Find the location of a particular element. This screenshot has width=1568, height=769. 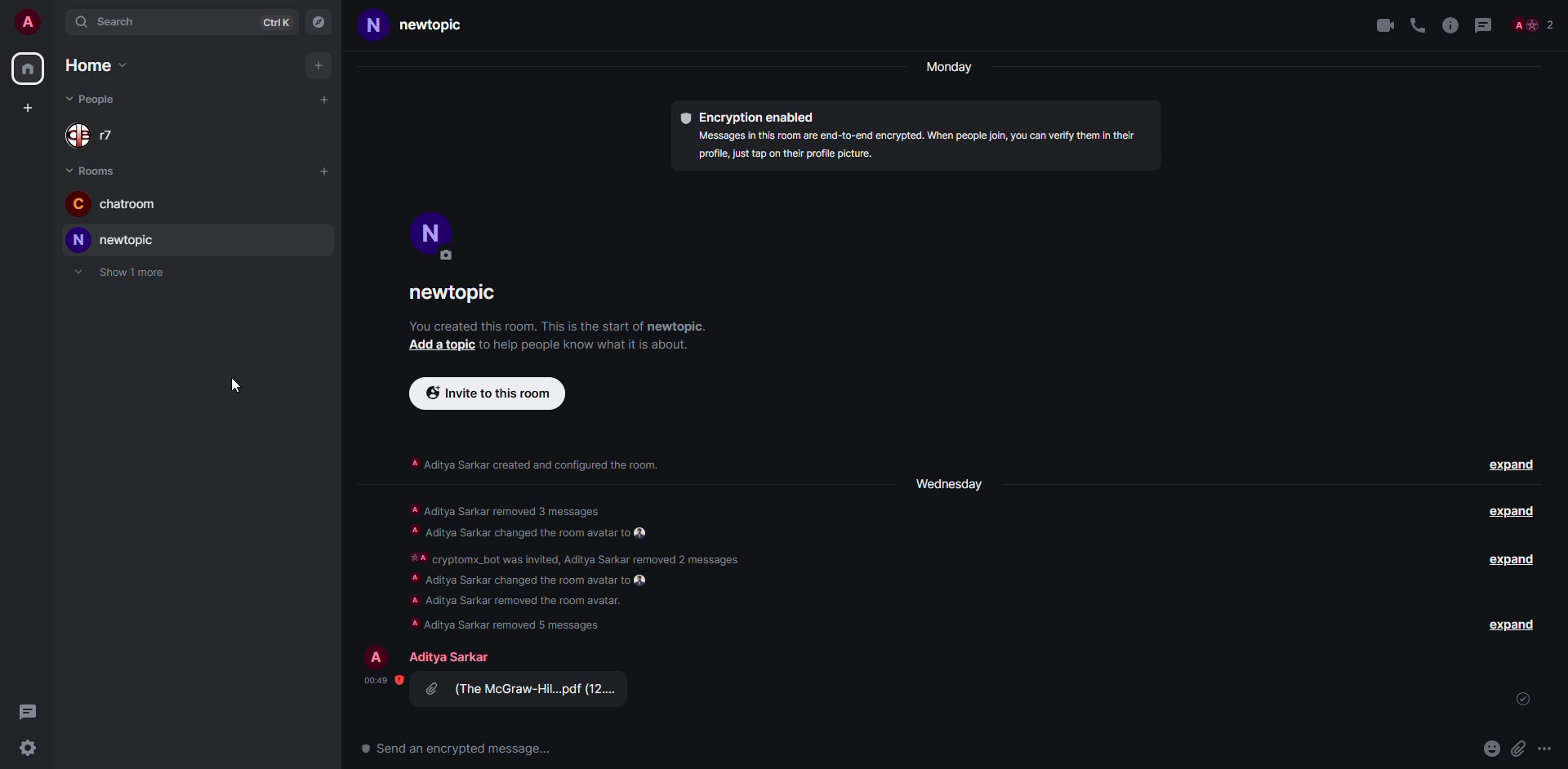

cursor is located at coordinates (235, 385).